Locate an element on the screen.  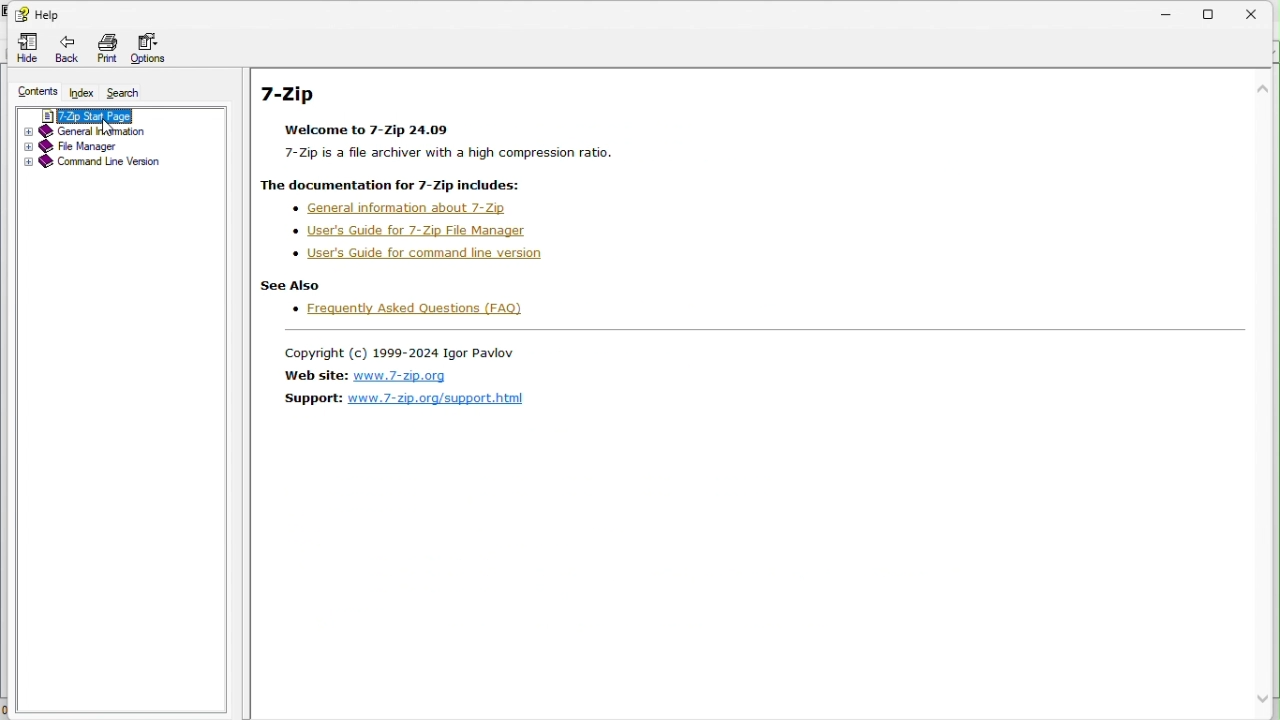
Frequently asked questions is located at coordinates (410, 310).